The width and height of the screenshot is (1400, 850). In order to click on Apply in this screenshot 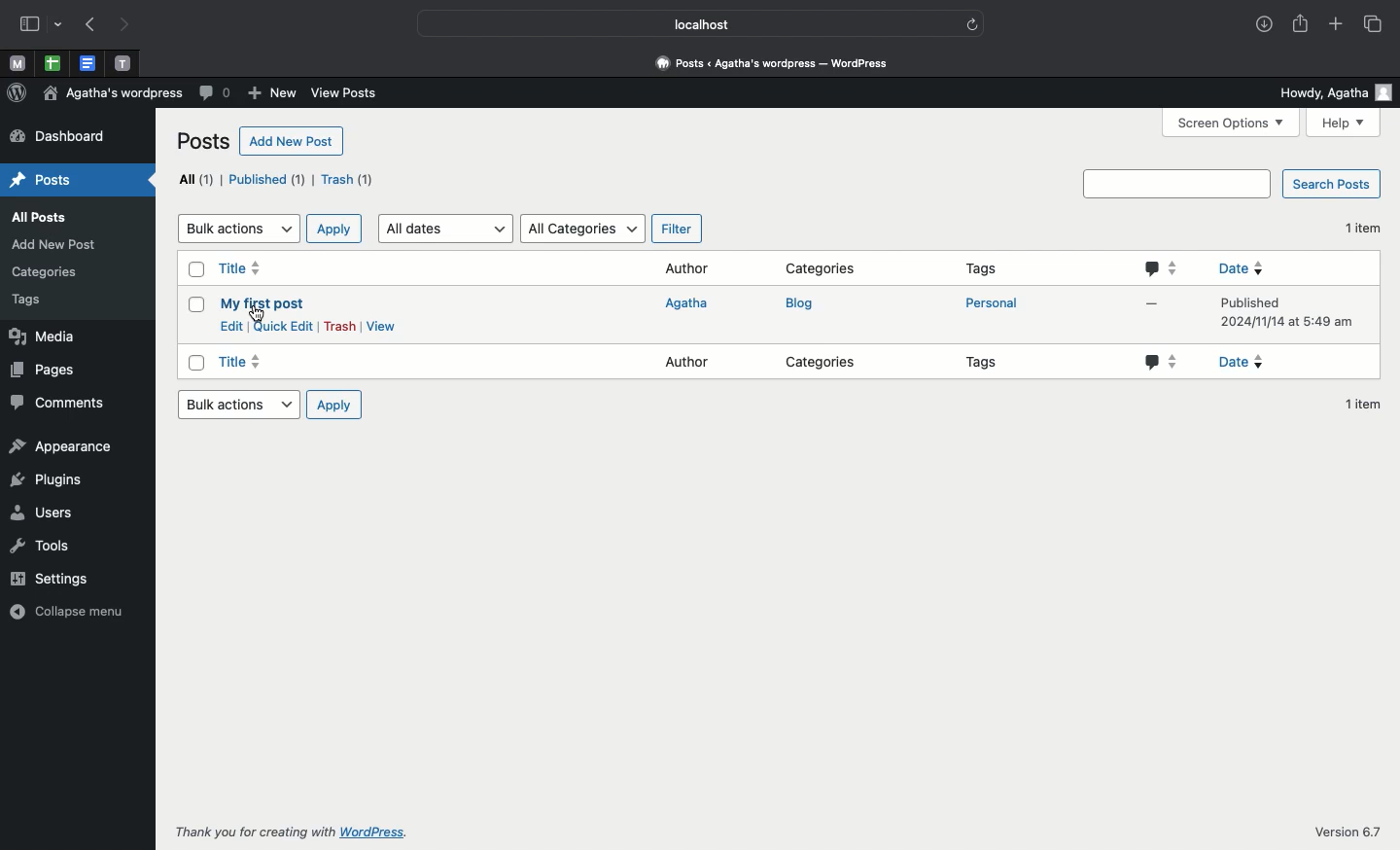, I will do `click(333, 228)`.